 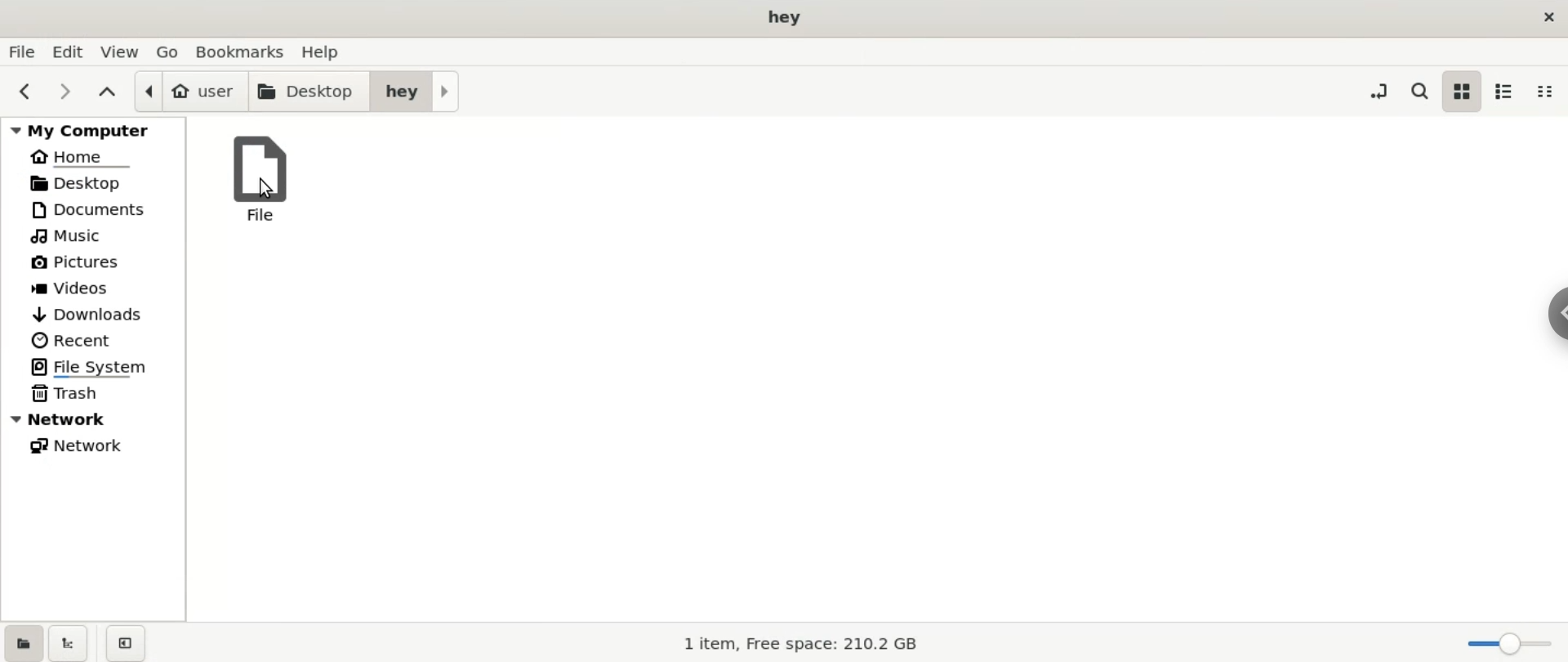 I want to click on recent, so click(x=94, y=340).